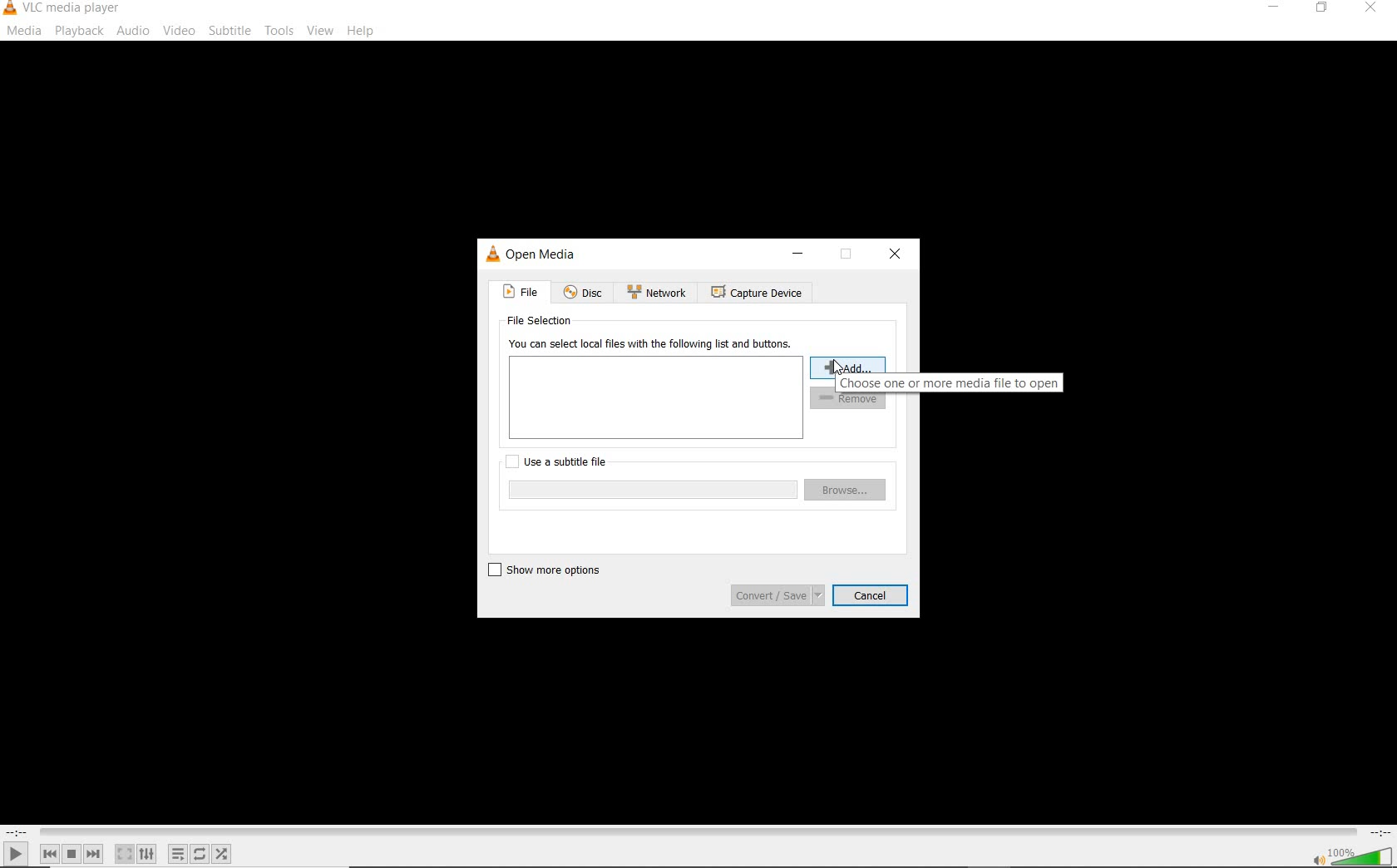  What do you see at coordinates (1325, 8) in the screenshot?
I see `restore down` at bounding box center [1325, 8].